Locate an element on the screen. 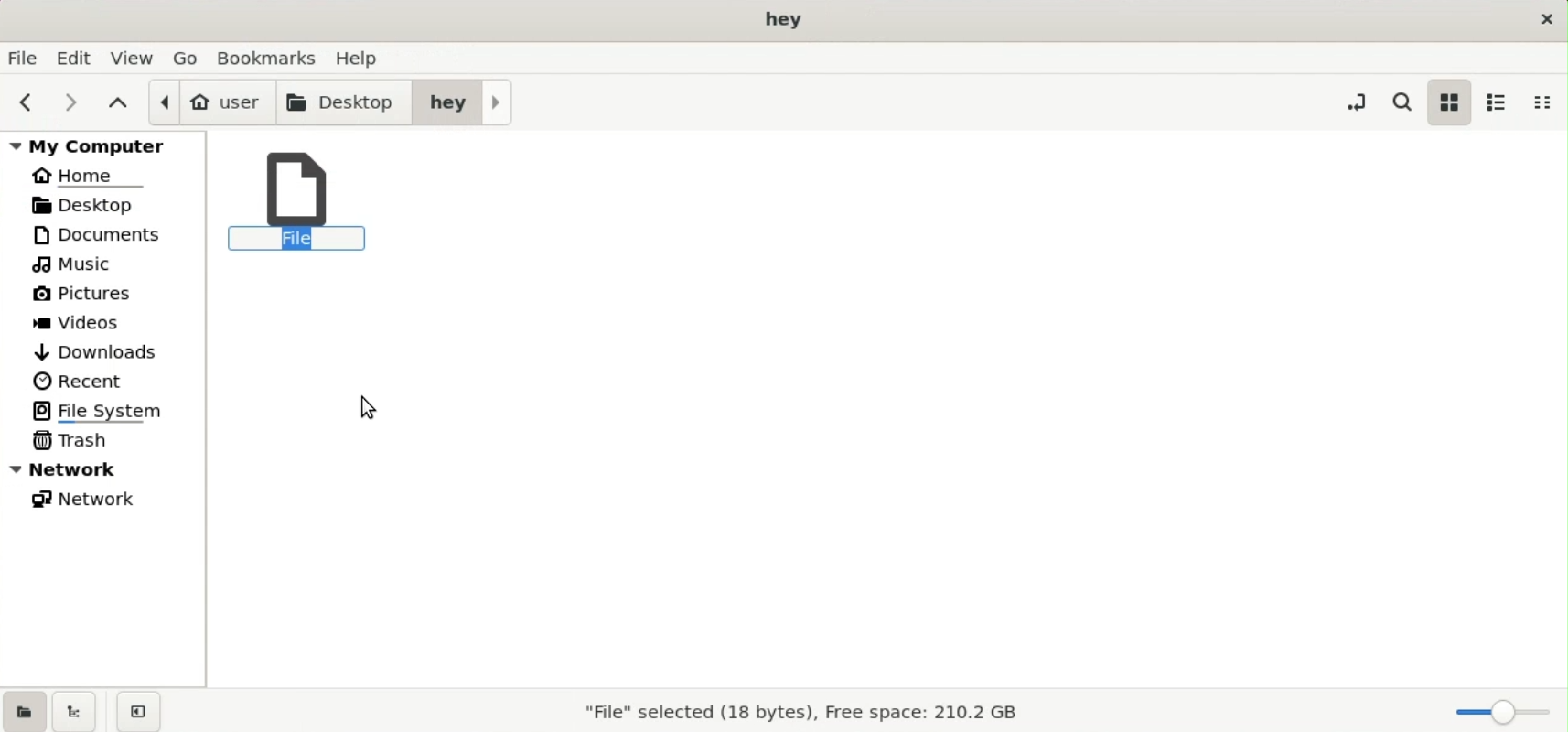 This screenshot has height=732, width=1568. close sidebars is located at coordinates (138, 710).